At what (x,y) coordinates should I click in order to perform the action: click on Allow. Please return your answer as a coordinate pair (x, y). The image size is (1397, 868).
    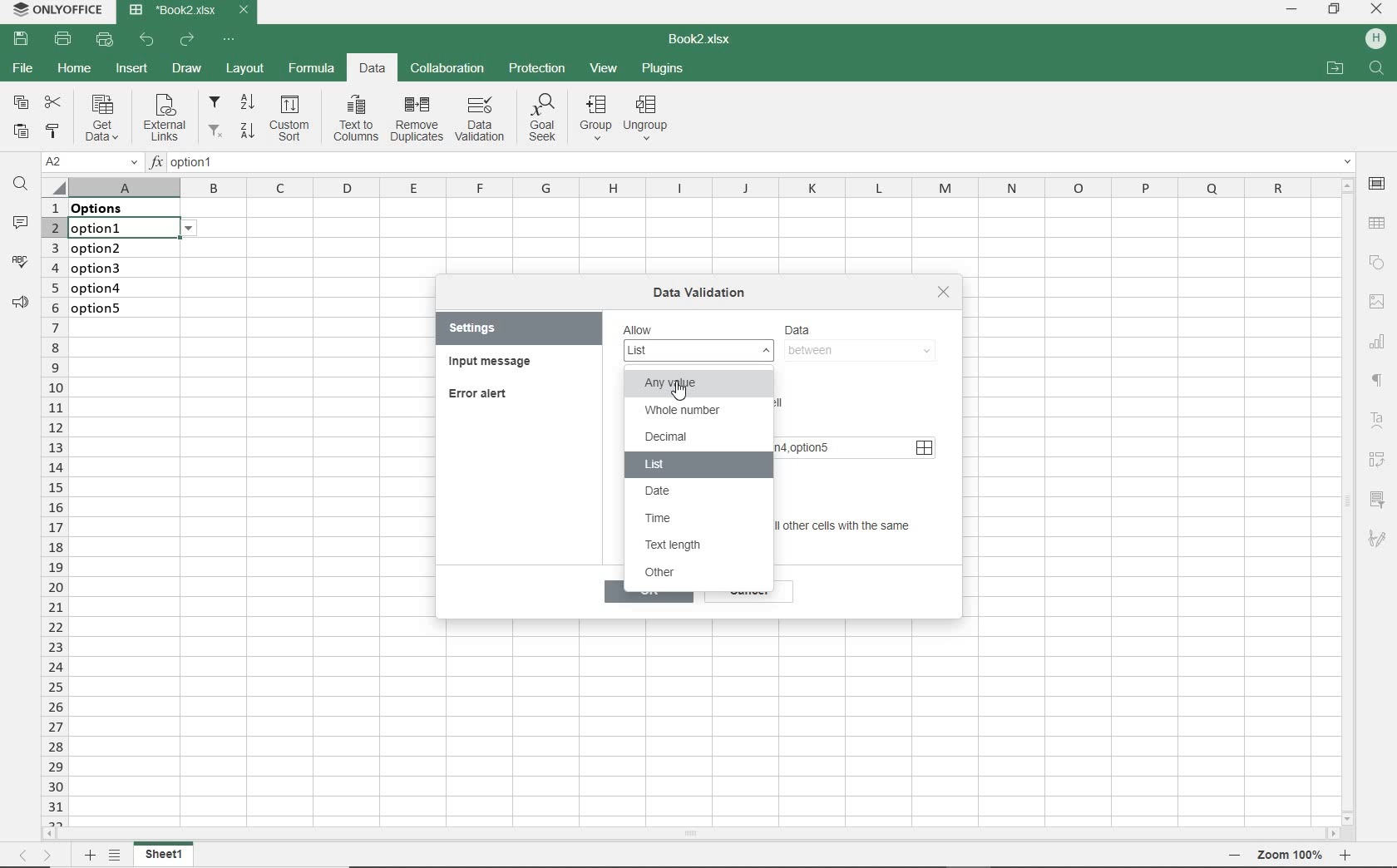
    Looking at the image, I should click on (696, 328).